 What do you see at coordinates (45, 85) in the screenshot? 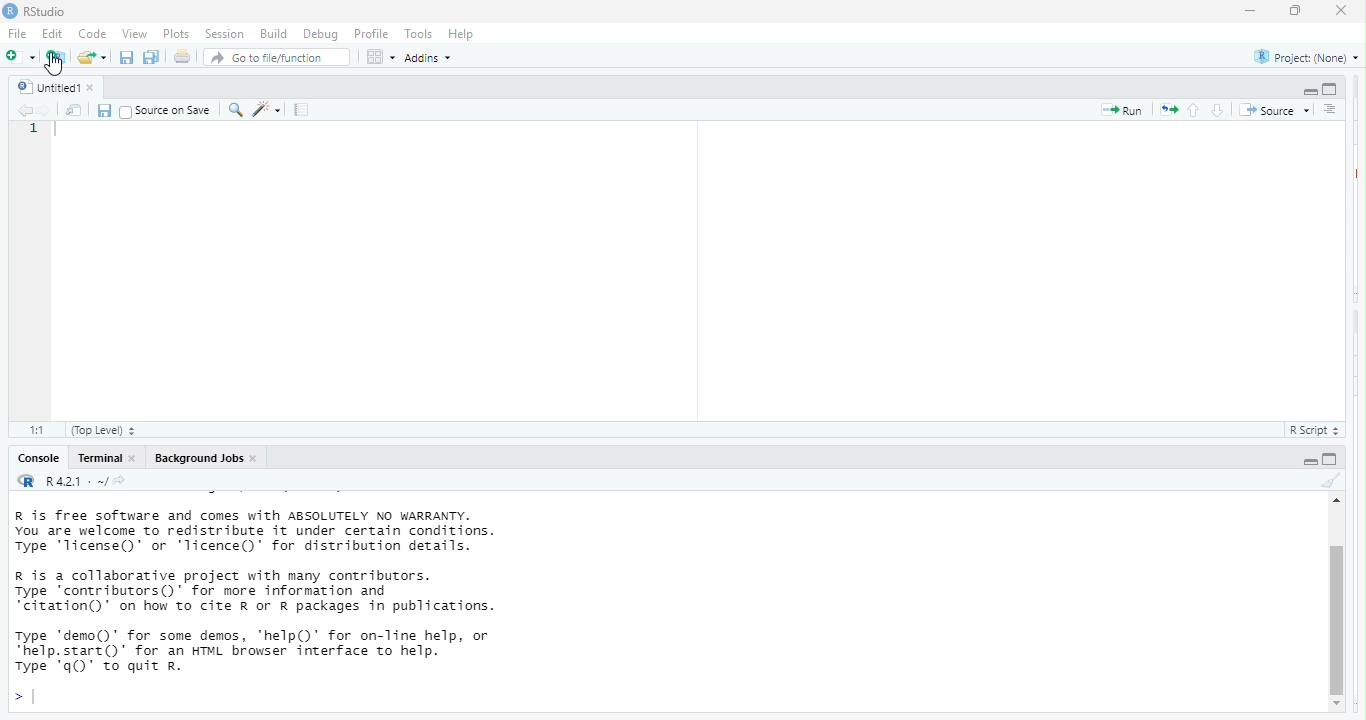
I see ` Untitled1` at bounding box center [45, 85].